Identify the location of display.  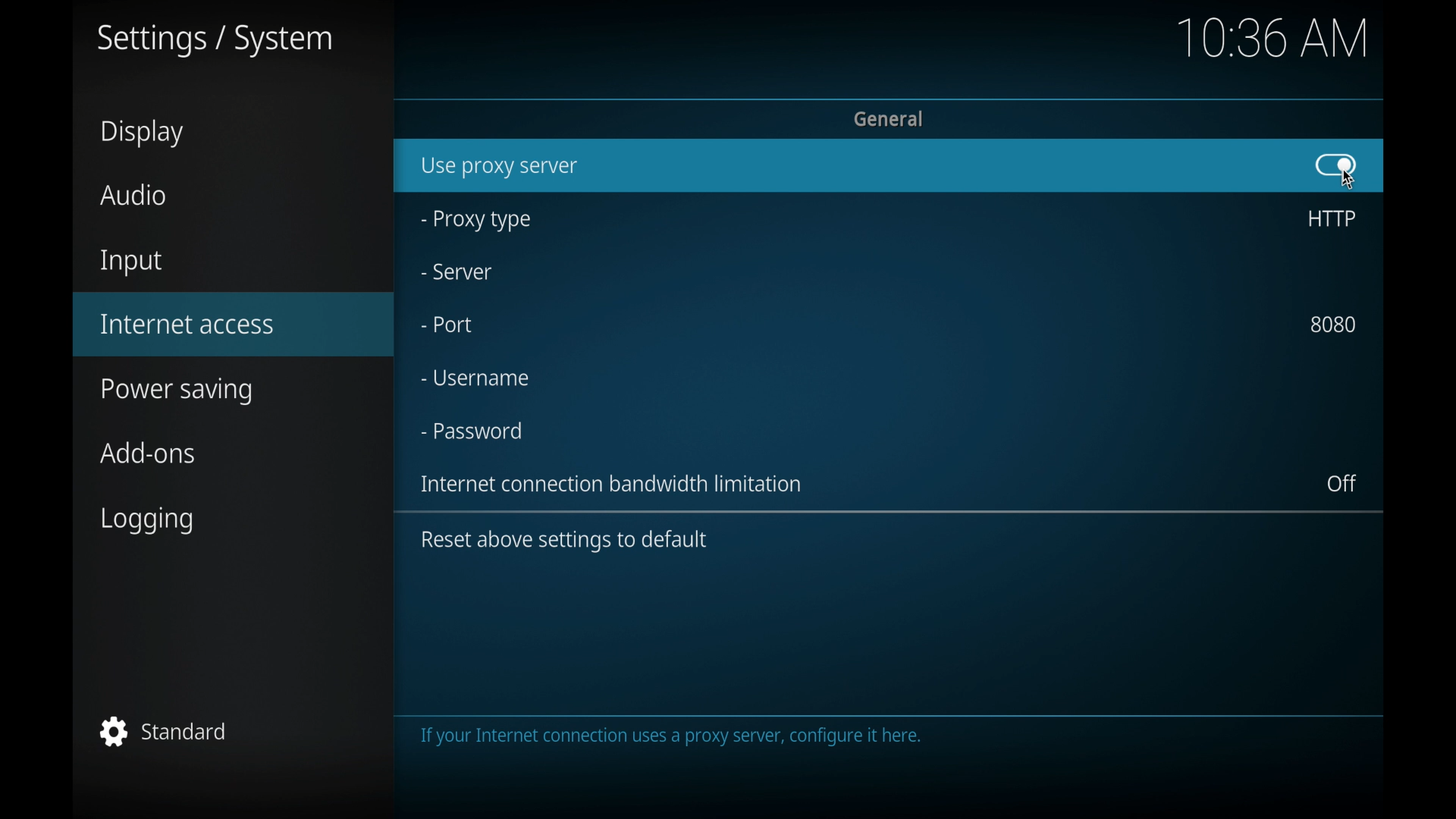
(143, 133).